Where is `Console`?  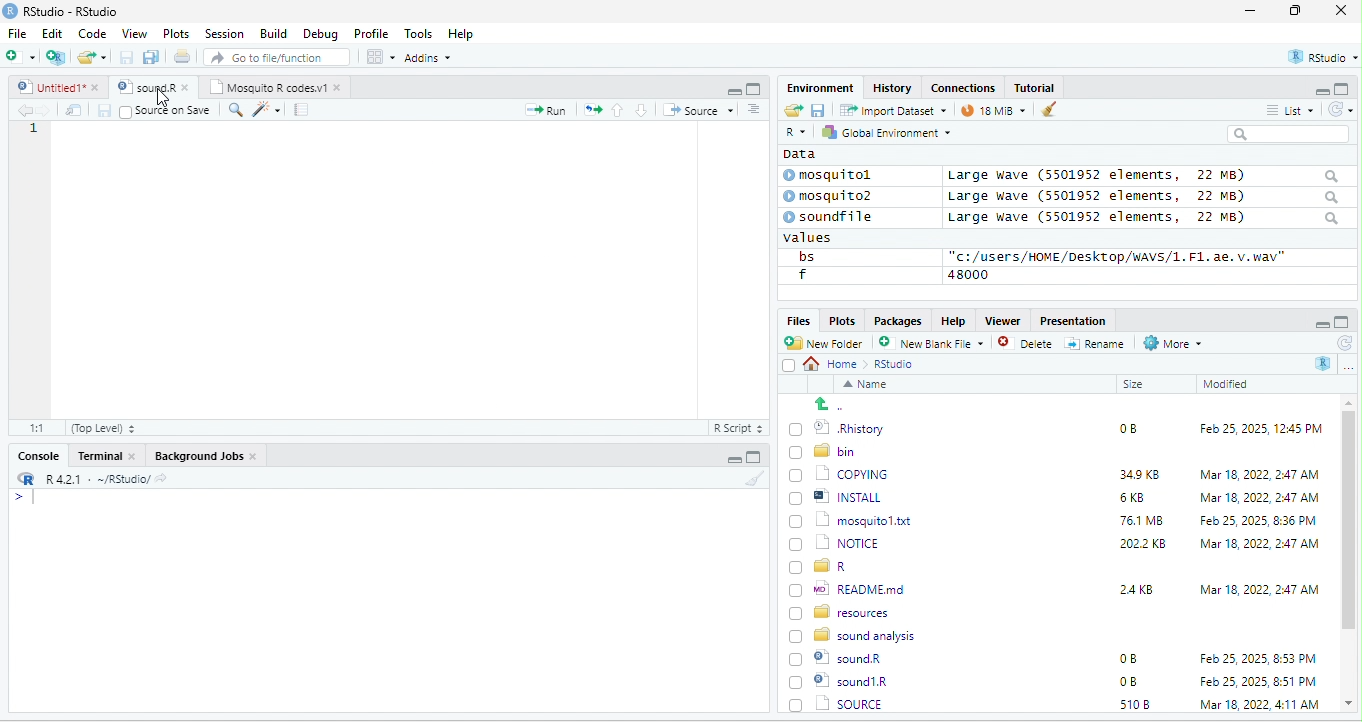
Console is located at coordinates (37, 454).